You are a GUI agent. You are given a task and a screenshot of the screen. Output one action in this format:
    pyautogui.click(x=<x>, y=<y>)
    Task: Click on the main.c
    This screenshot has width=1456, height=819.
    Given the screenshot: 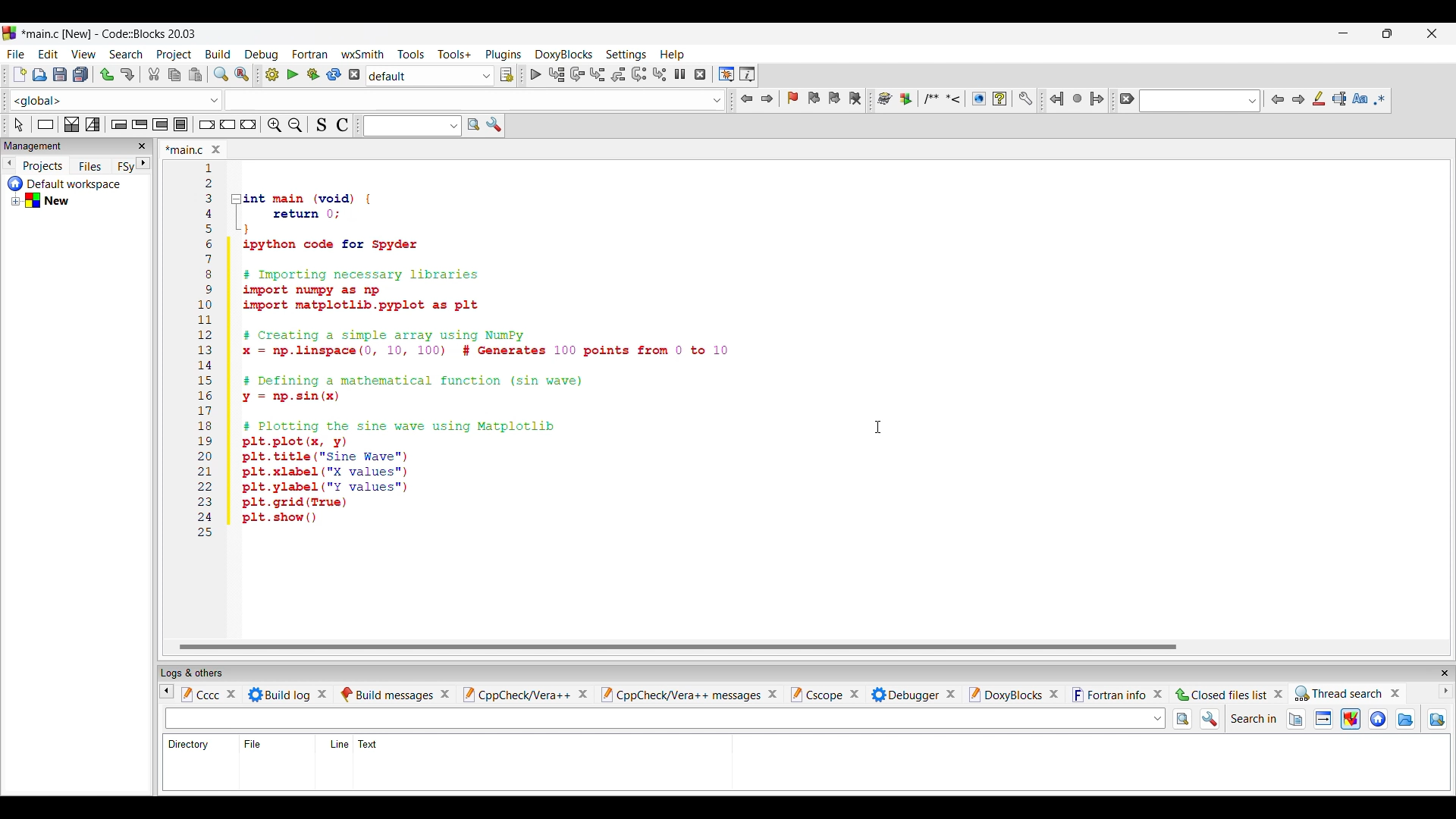 What is the action you would take?
    pyautogui.click(x=198, y=148)
    